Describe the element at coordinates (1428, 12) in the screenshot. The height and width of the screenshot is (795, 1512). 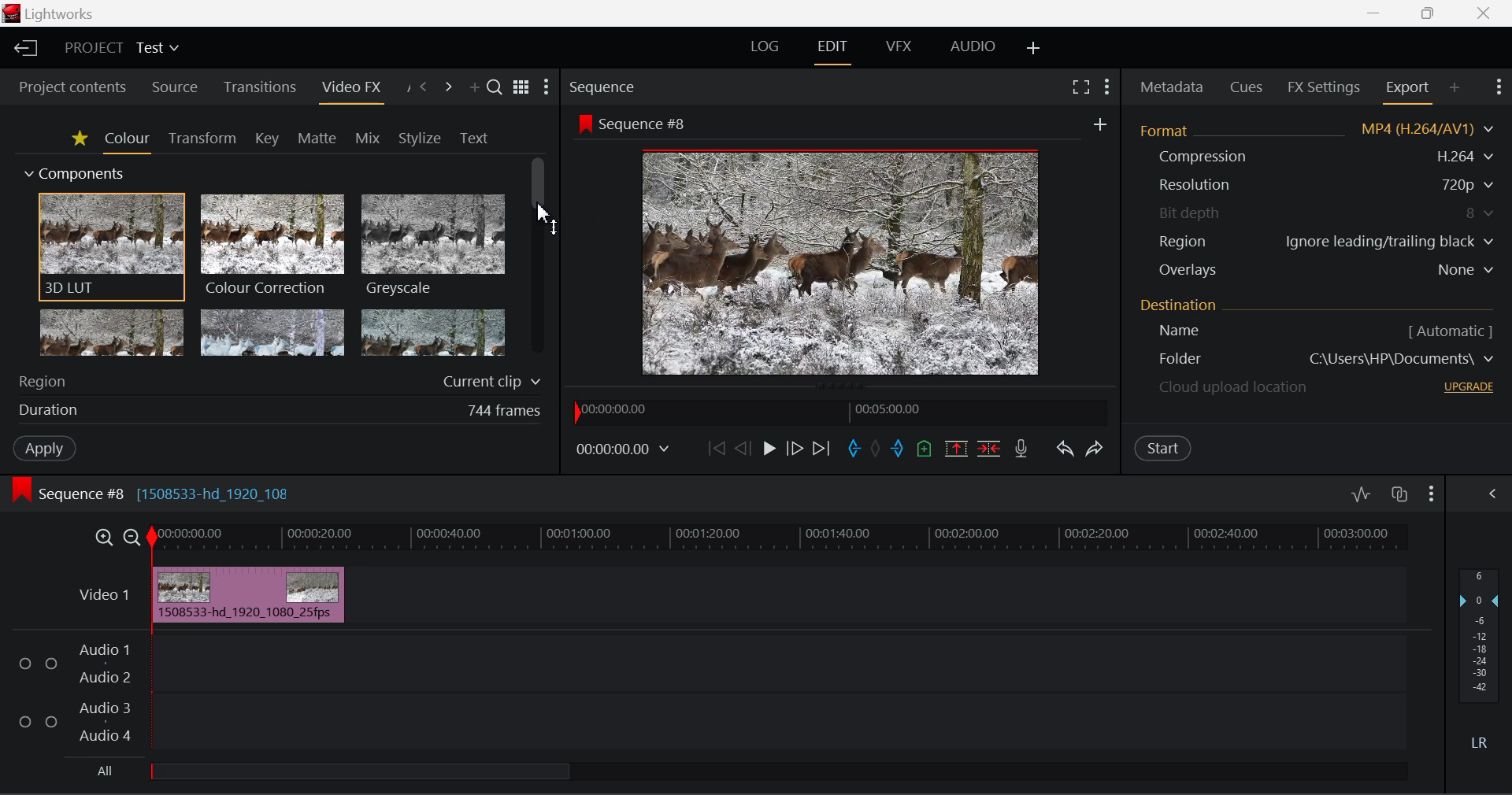
I see `Minimize` at that location.